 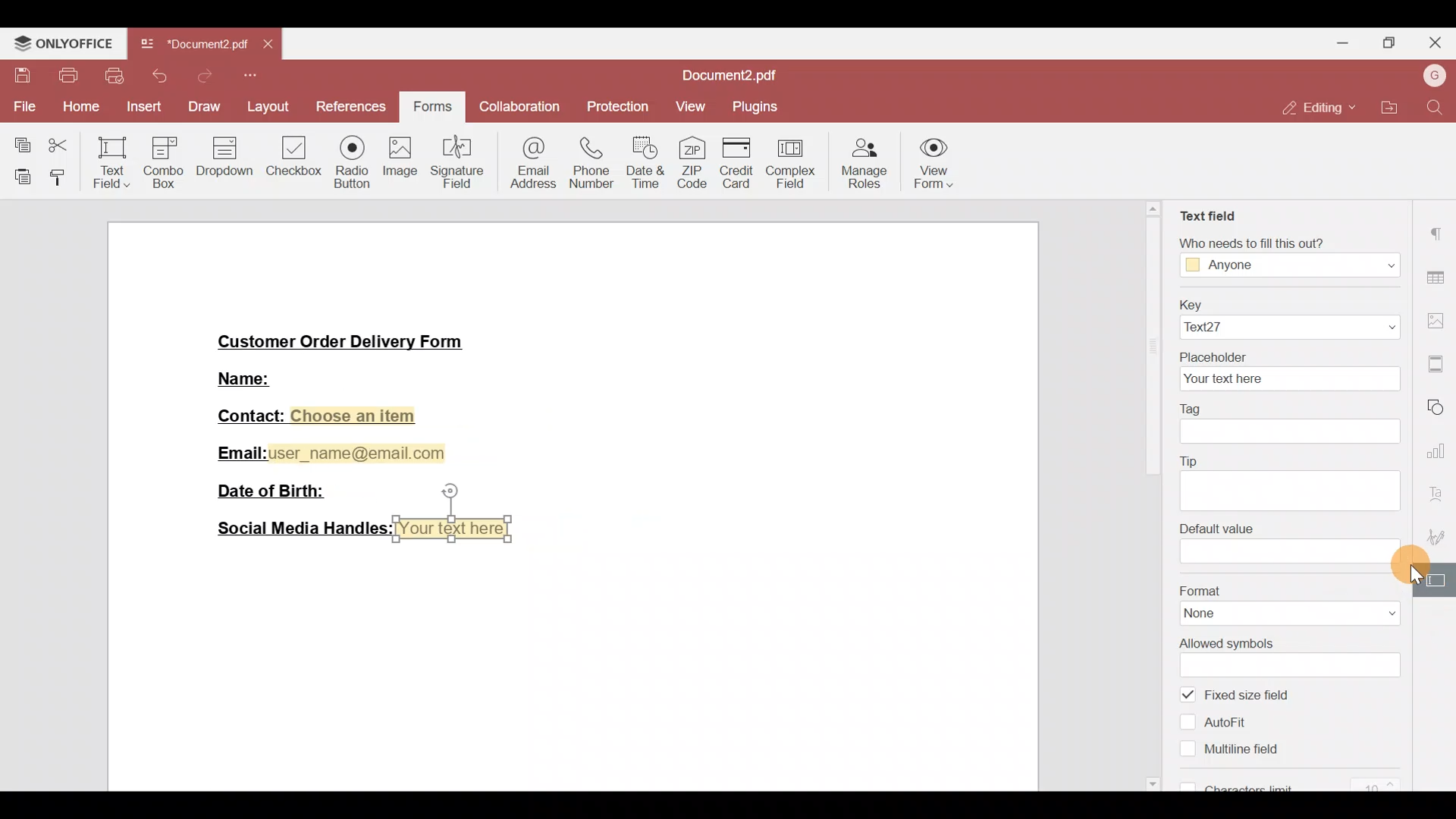 What do you see at coordinates (162, 76) in the screenshot?
I see `Undo` at bounding box center [162, 76].